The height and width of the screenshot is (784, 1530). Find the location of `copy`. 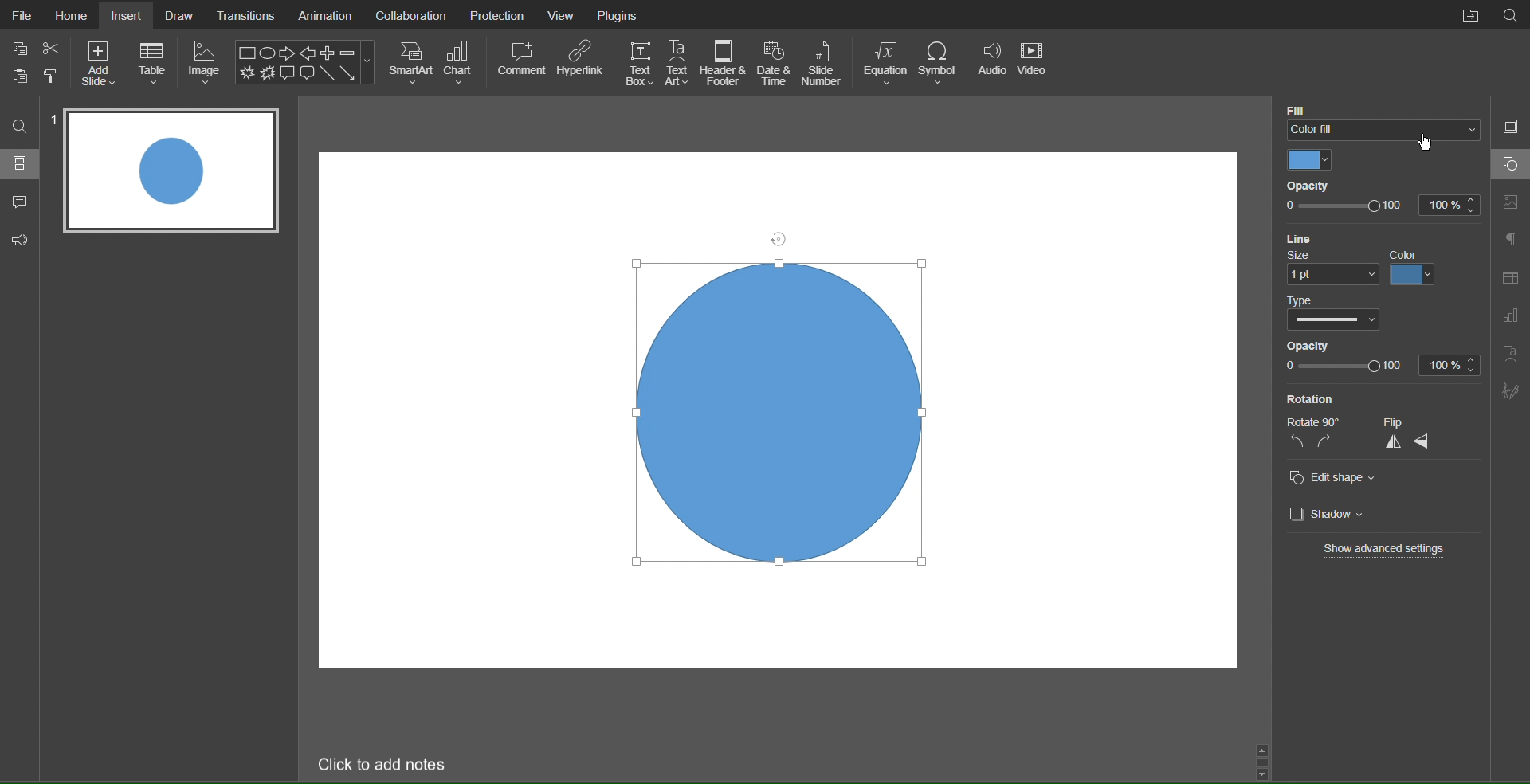

copy is located at coordinates (23, 78).